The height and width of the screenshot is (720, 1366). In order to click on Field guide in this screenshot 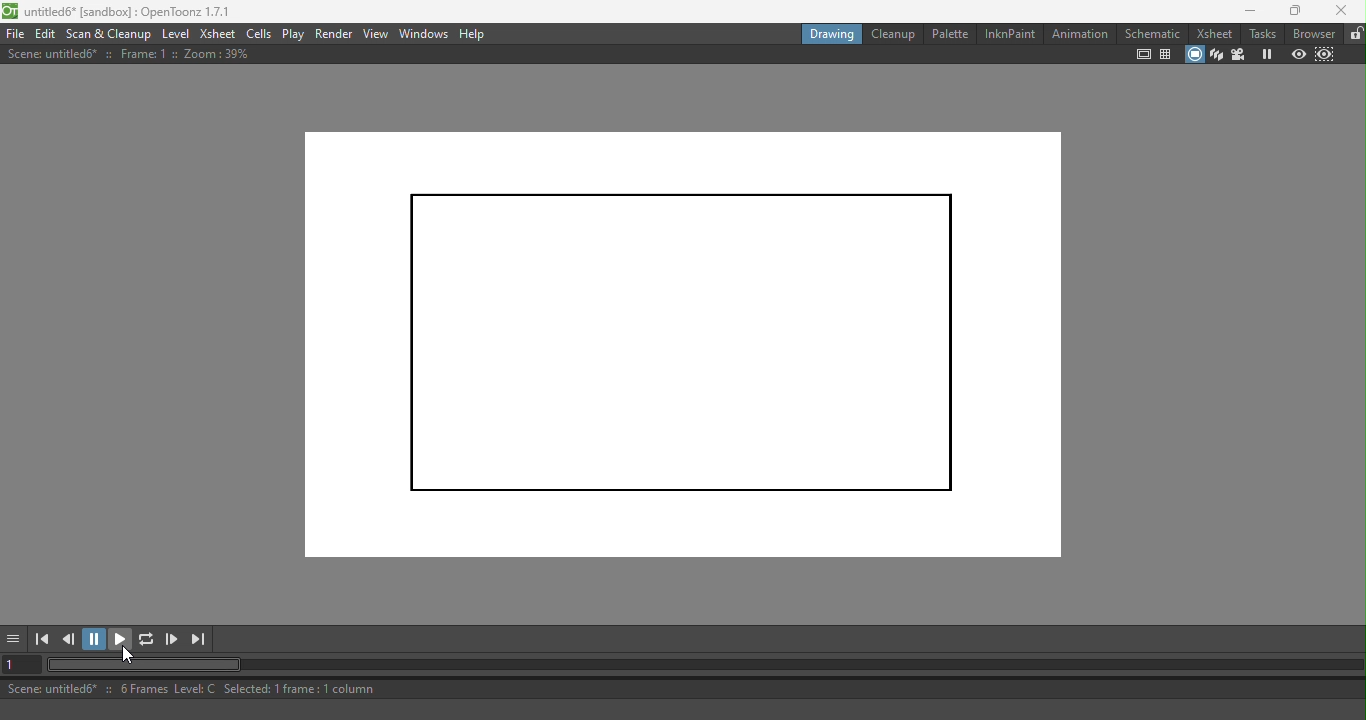, I will do `click(1168, 54)`.